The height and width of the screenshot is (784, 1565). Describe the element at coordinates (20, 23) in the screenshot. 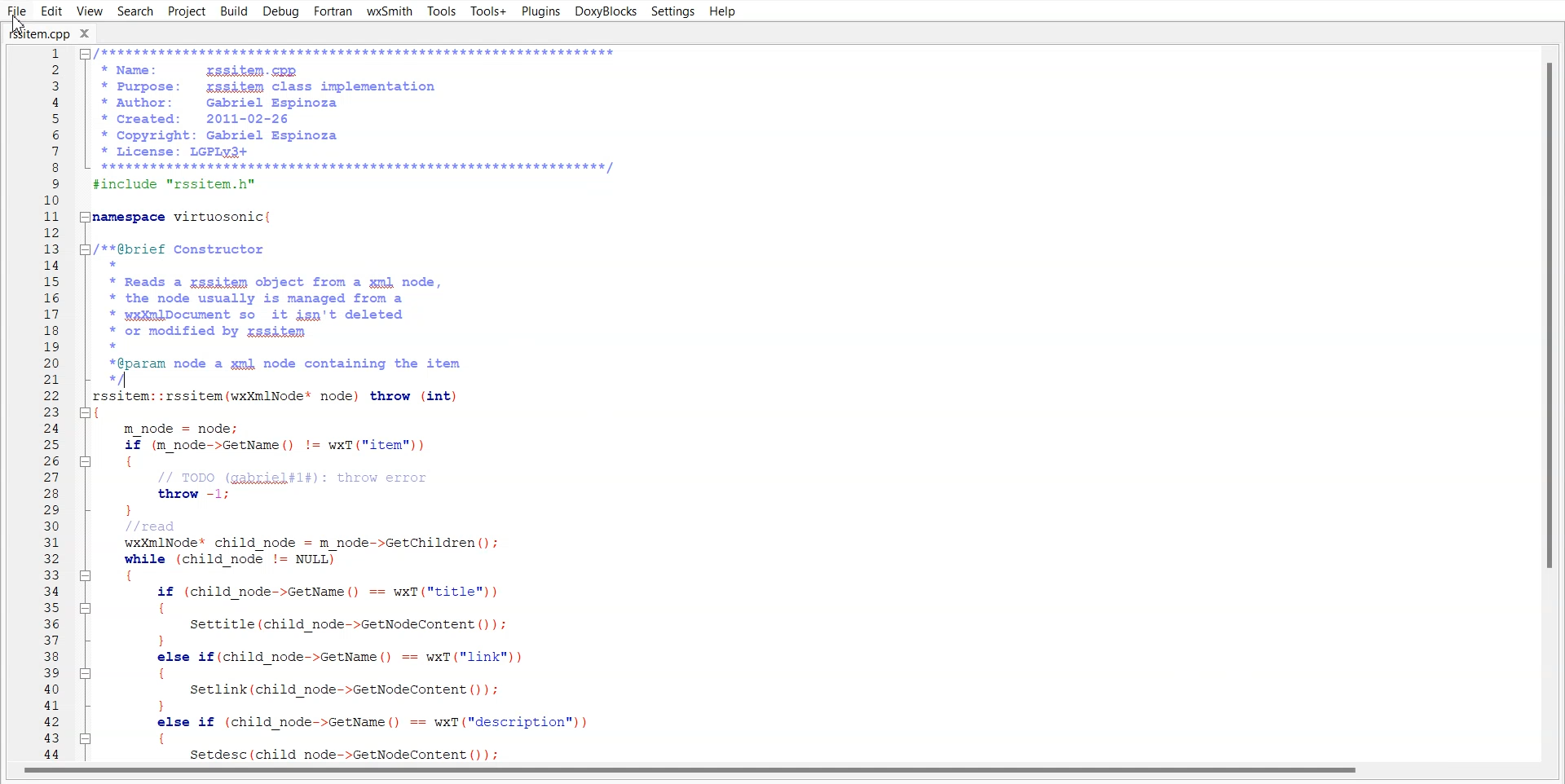

I see `Cursor` at that location.